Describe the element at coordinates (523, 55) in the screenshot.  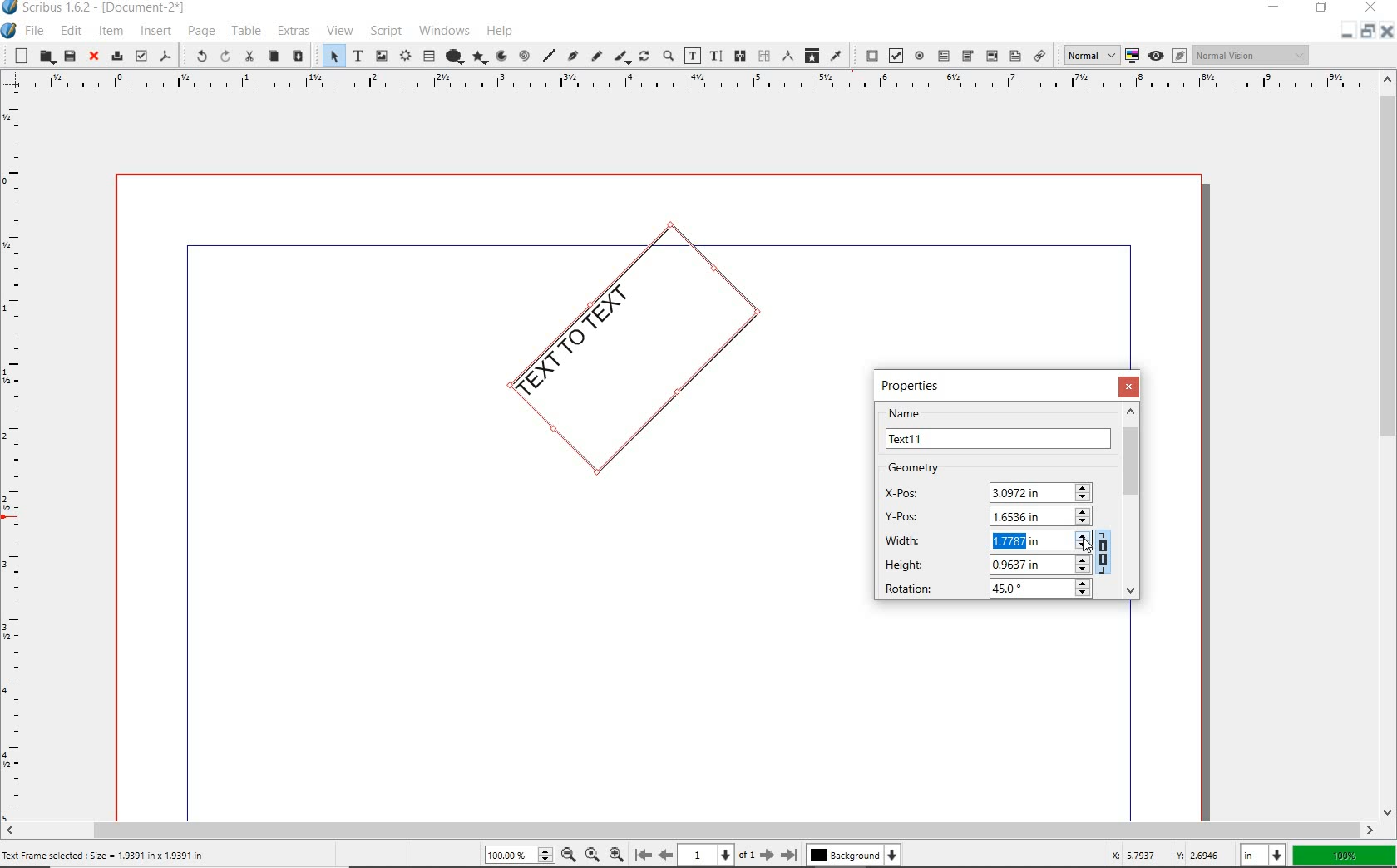
I see `spiral` at that location.